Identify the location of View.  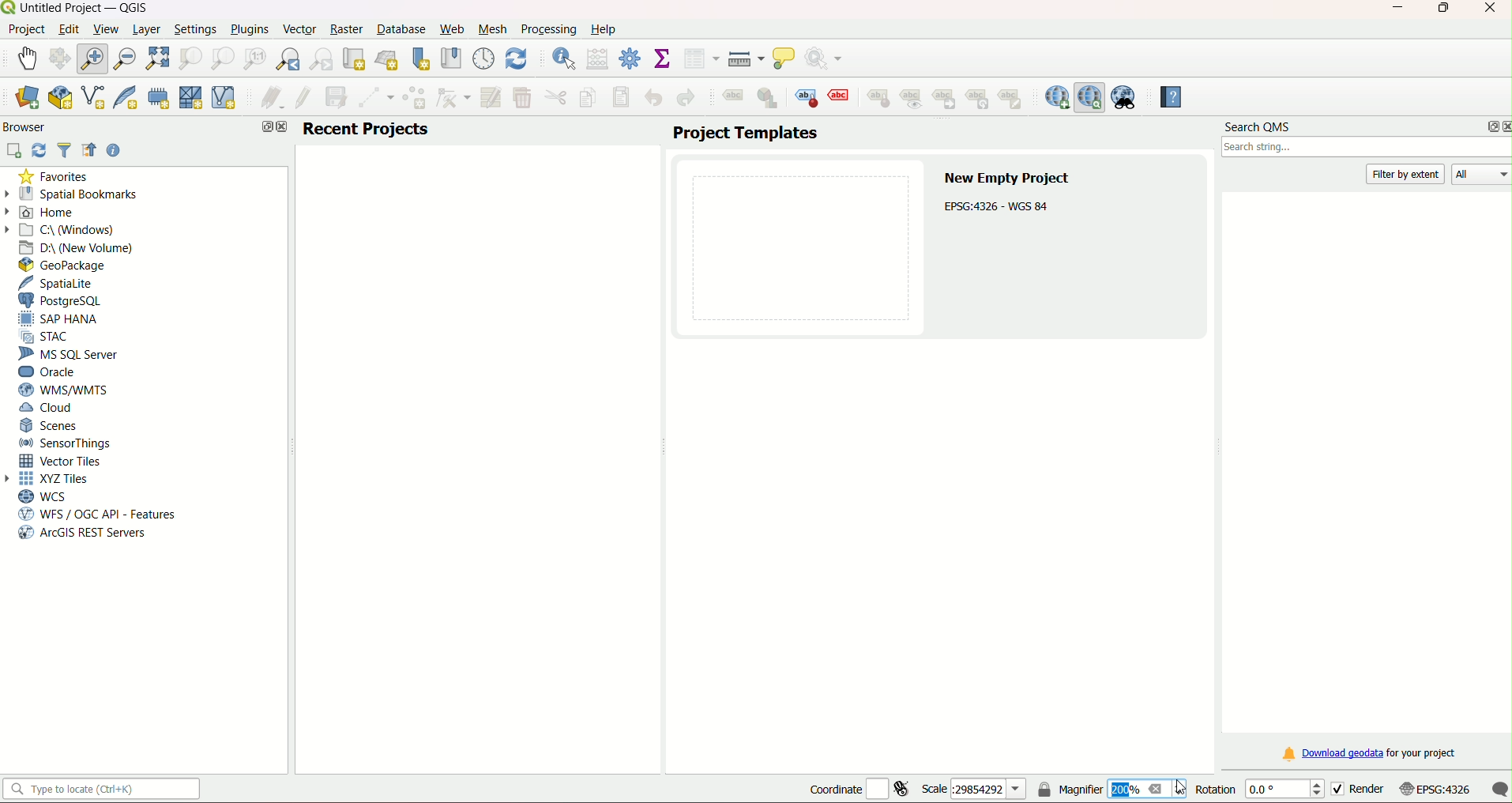
(104, 28).